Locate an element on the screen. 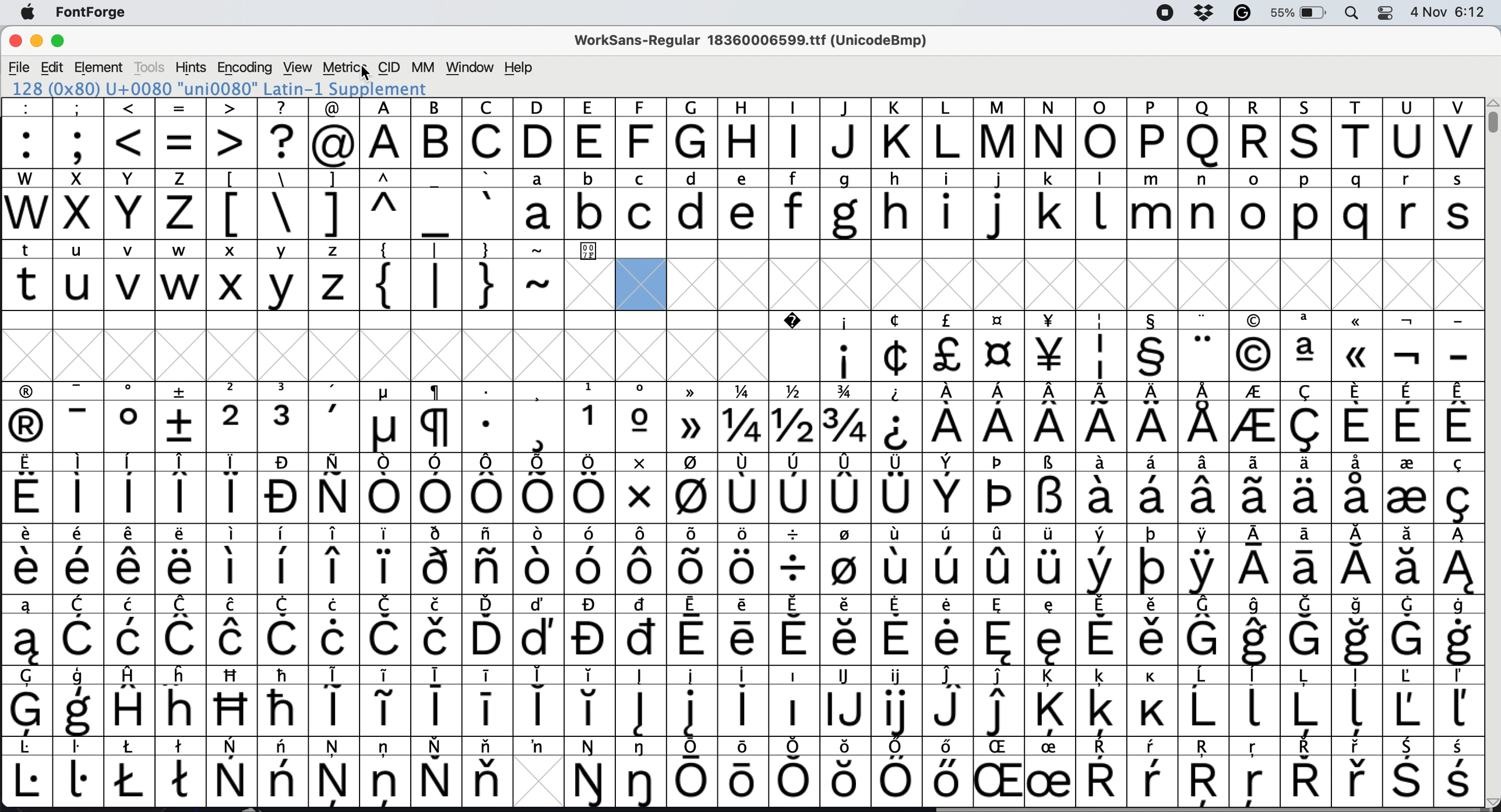 The height and width of the screenshot is (812, 1501). Close is located at coordinates (15, 38).